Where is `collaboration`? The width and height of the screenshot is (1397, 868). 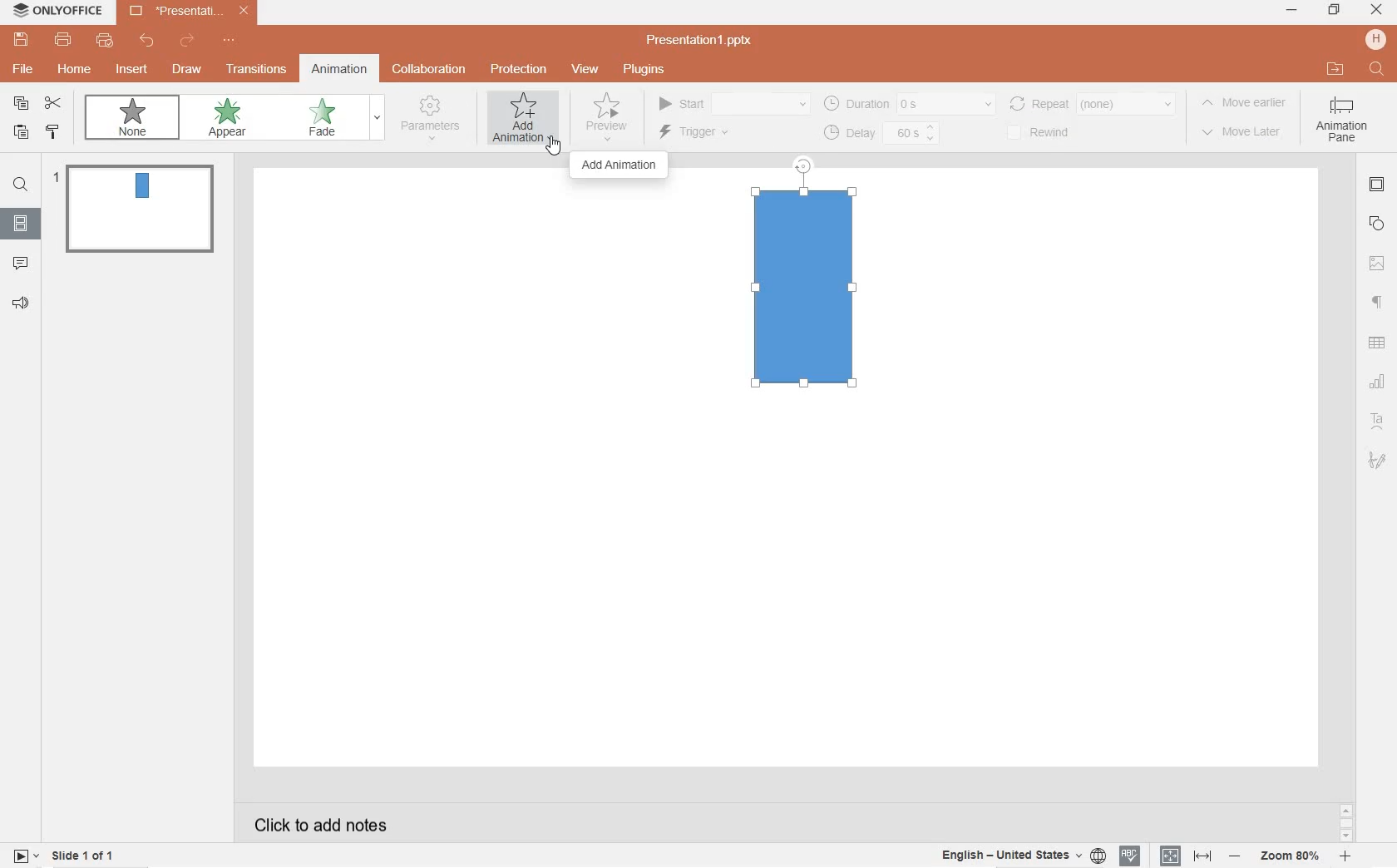 collaboration is located at coordinates (430, 69).